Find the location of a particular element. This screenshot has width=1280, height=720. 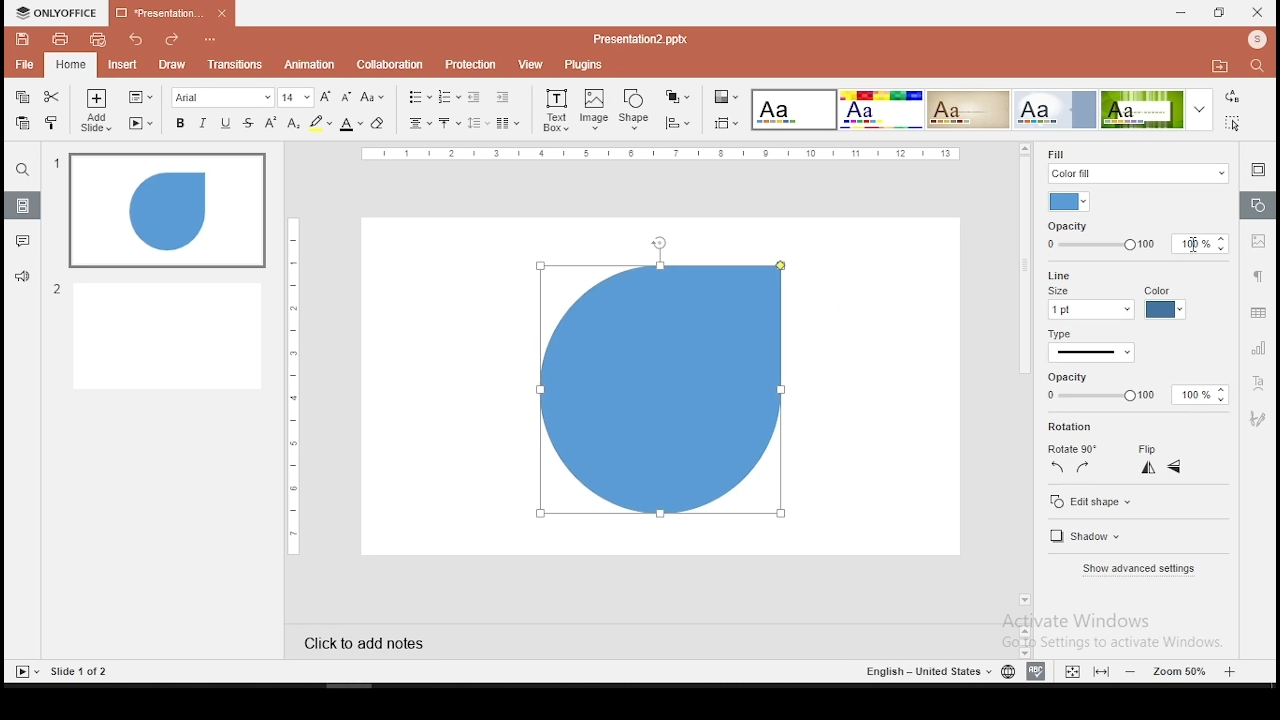

bullets is located at coordinates (416, 97).